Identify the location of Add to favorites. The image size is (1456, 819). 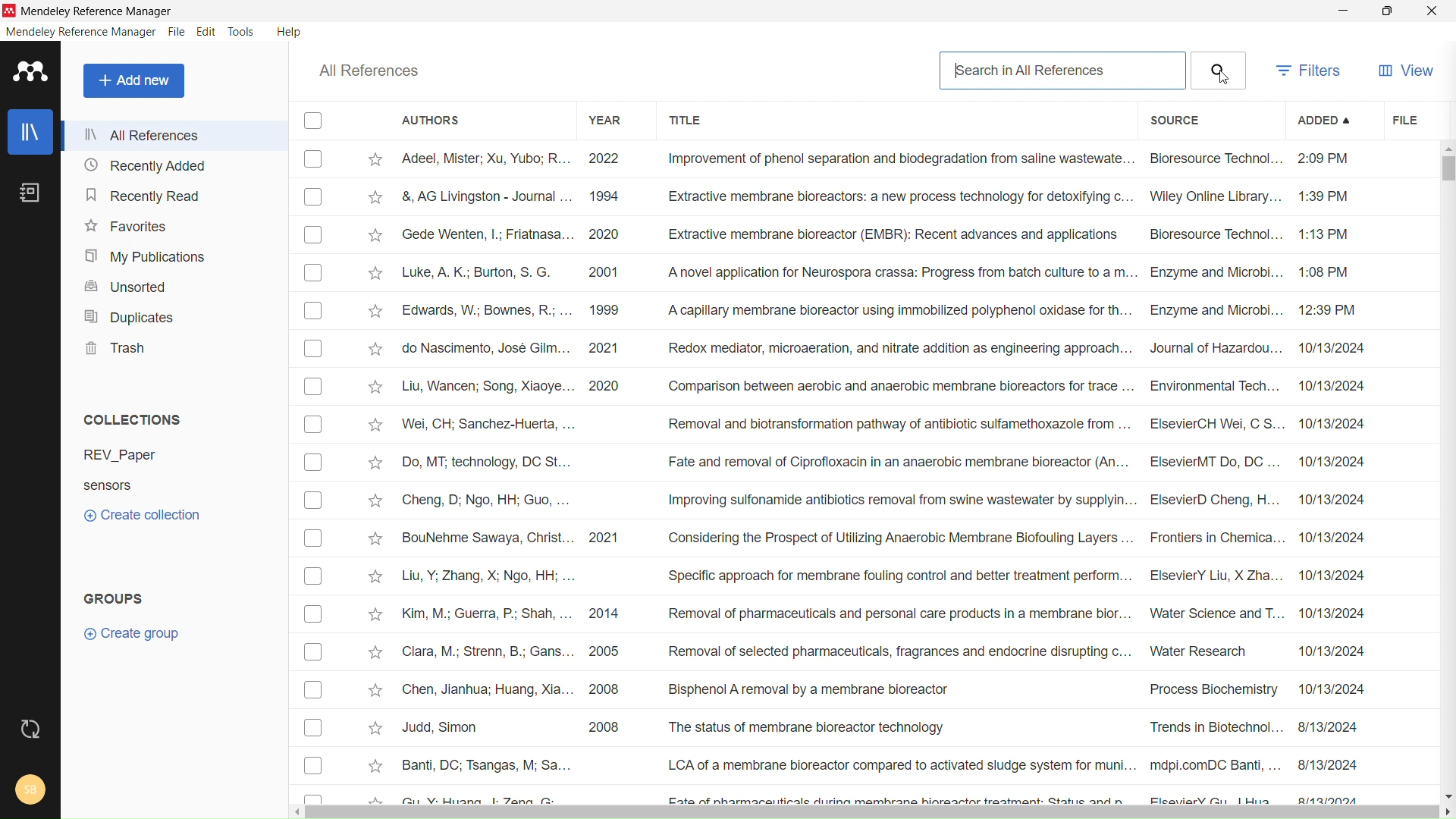
(378, 347).